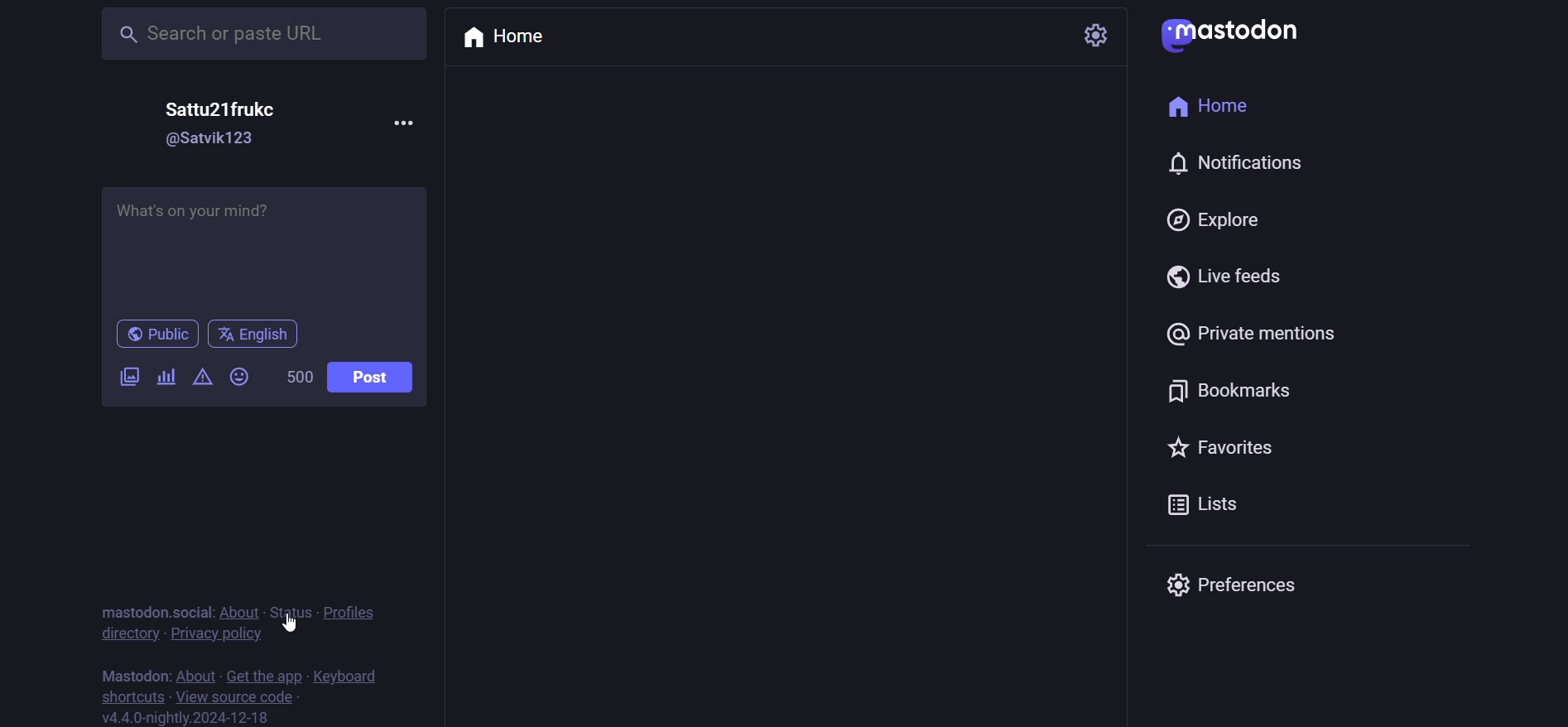 This screenshot has height=727, width=1568. What do you see at coordinates (1249, 334) in the screenshot?
I see `private mention` at bounding box center [1249, 334].